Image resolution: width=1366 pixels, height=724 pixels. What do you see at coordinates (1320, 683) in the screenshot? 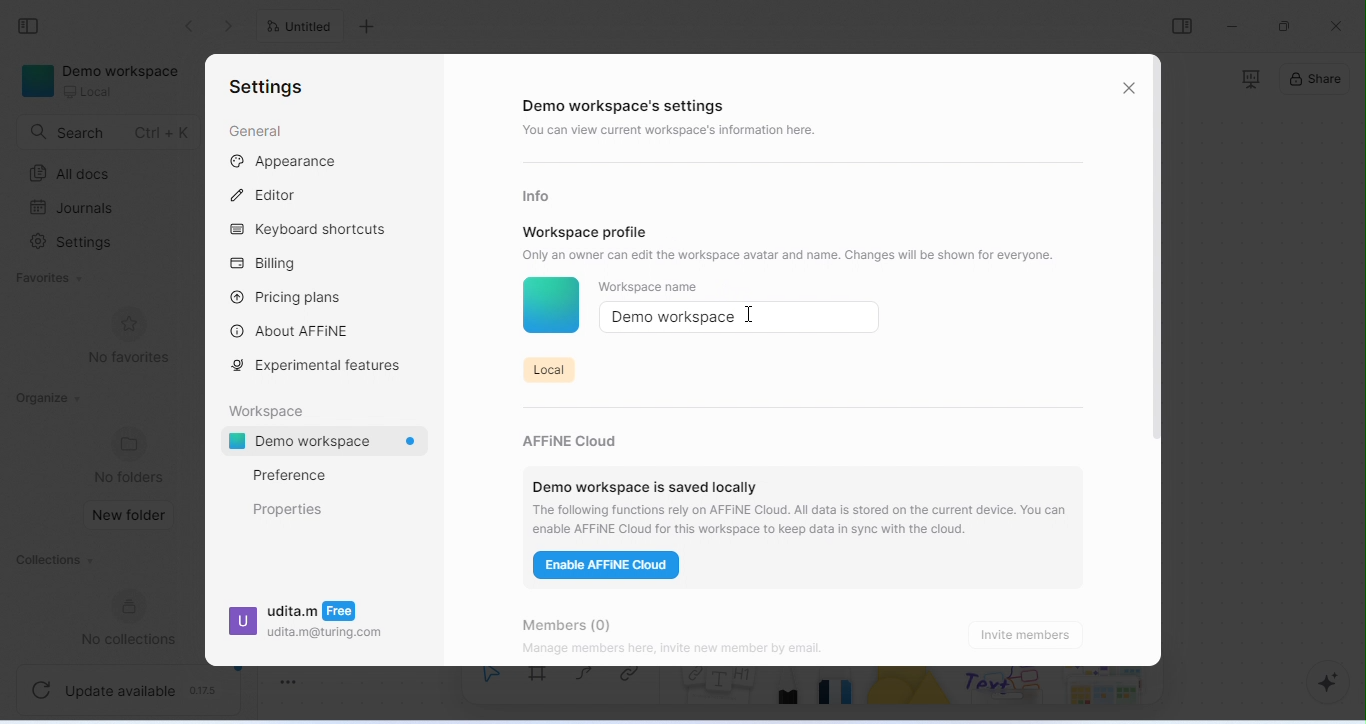
I see `AI assistant` at bounding box center [1320, 683].